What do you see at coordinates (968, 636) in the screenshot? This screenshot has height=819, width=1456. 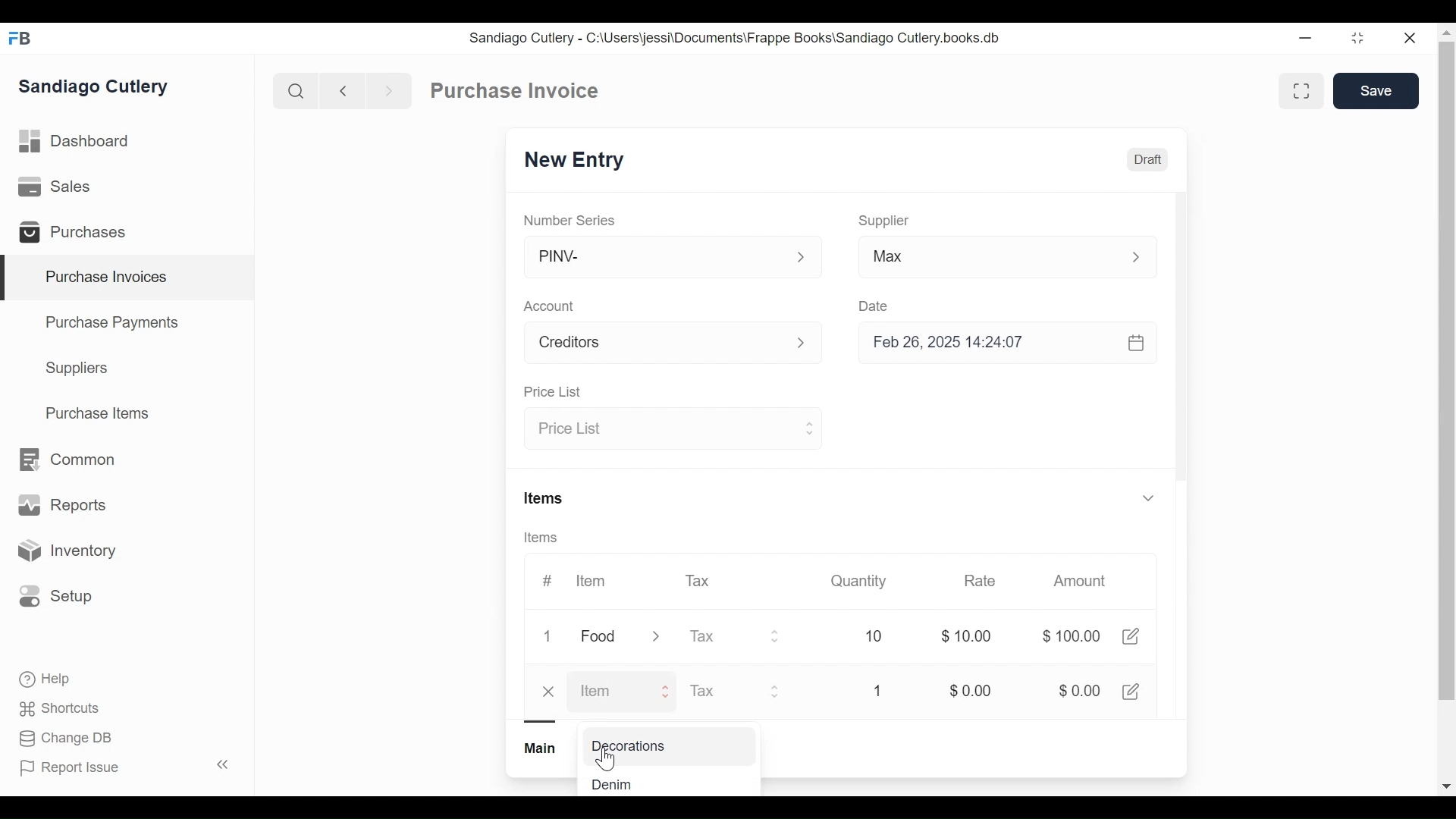 I see `$0.00` at bounding box center [968, 636].